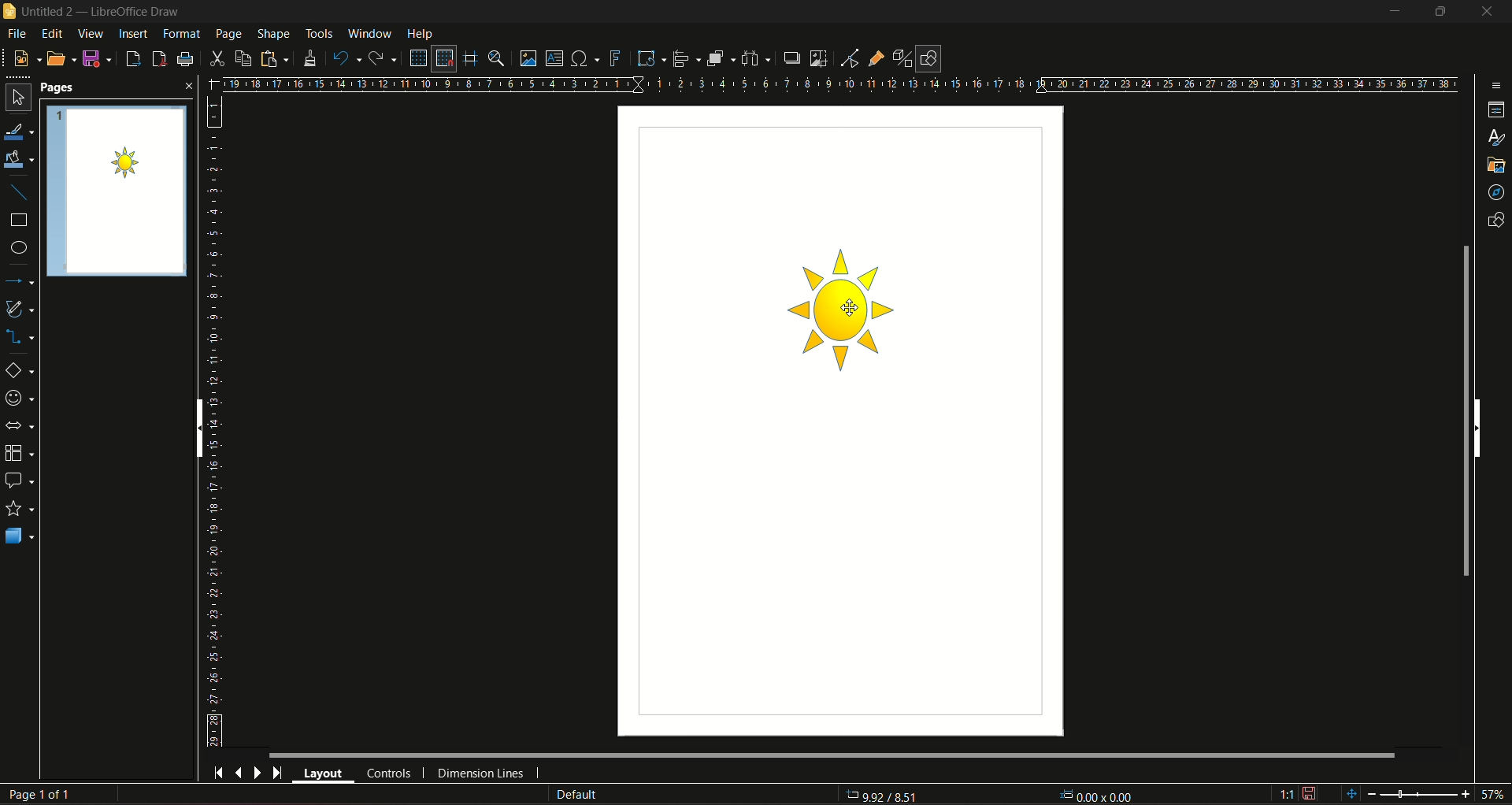  Describe the element at coordinates (278, 773) in the screenshot. I see `last` at that location.